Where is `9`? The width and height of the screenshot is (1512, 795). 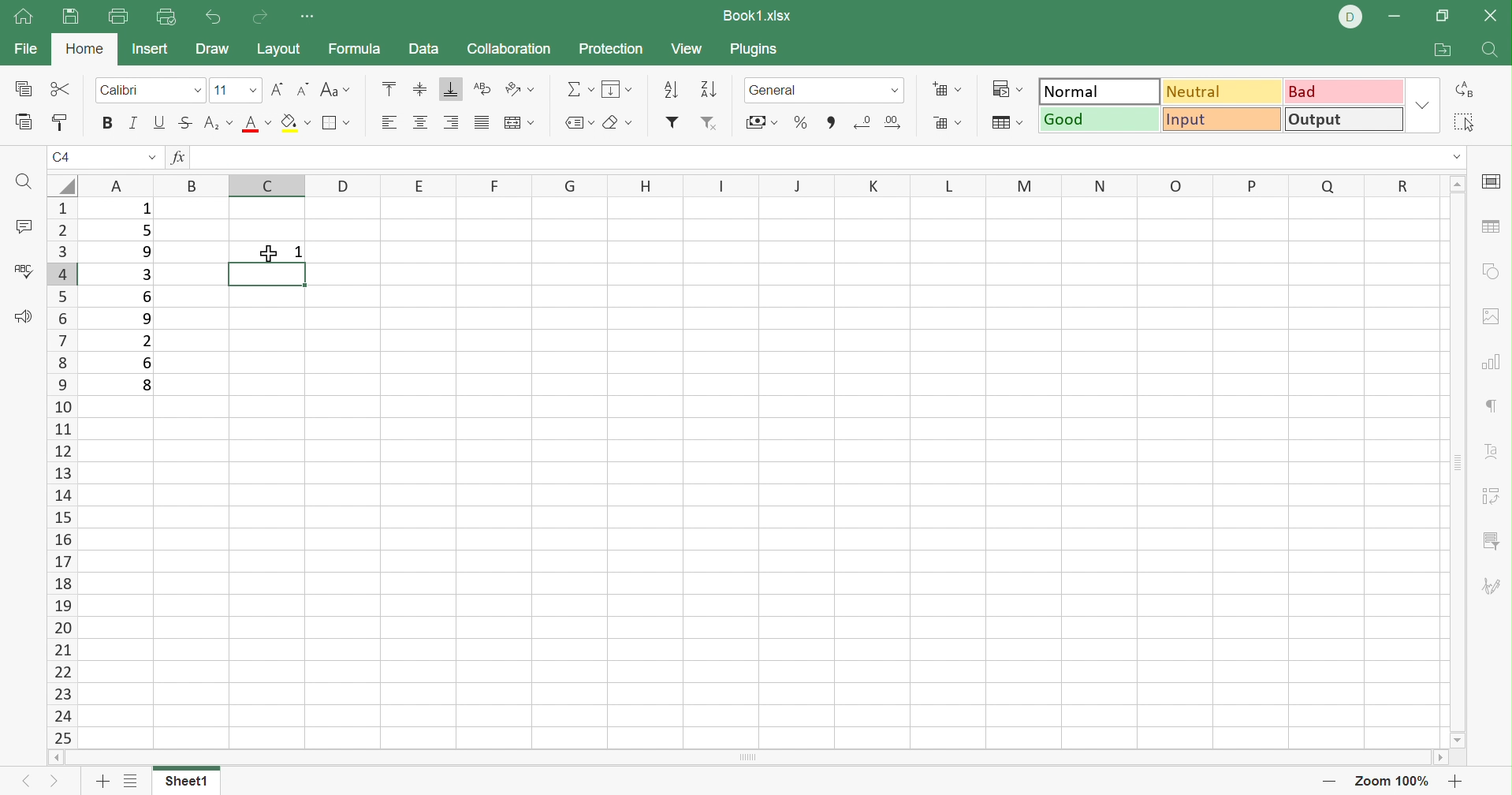 9 is located at coordinates (147, 251).